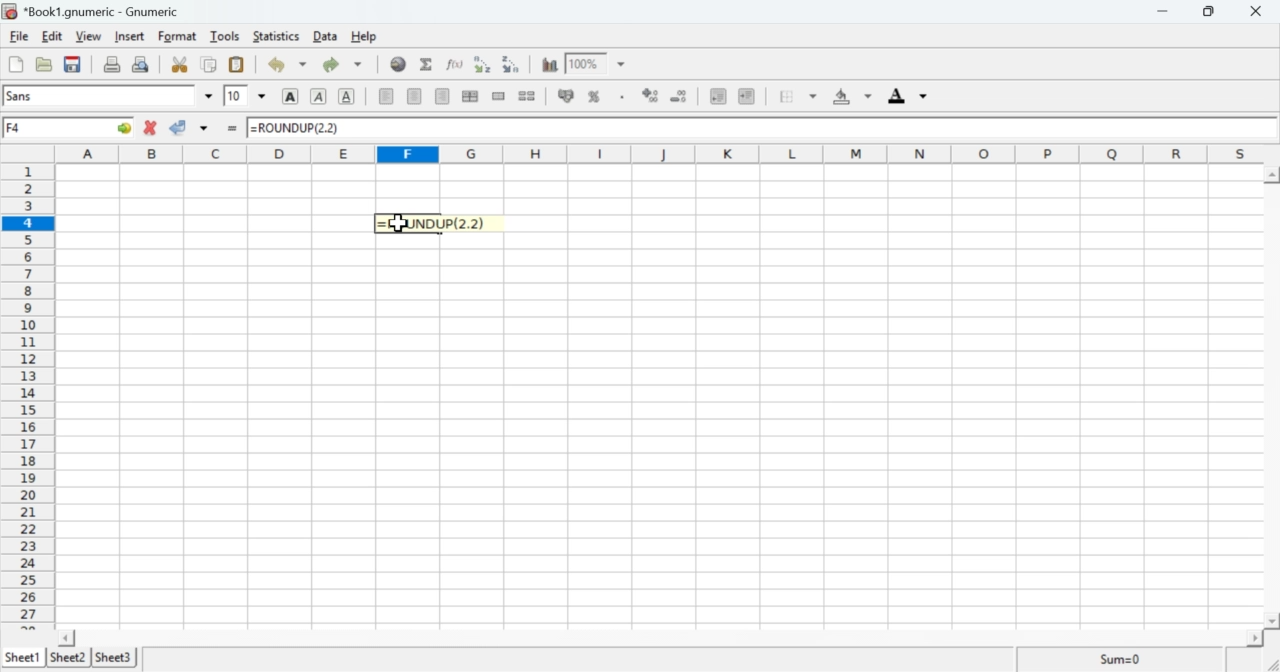 The height and width of the screenshot is (672, 1280). What do you see at coordinates (499, 97) in the screenshot?
I see `Merge cells` at bounding box center [499, 97].